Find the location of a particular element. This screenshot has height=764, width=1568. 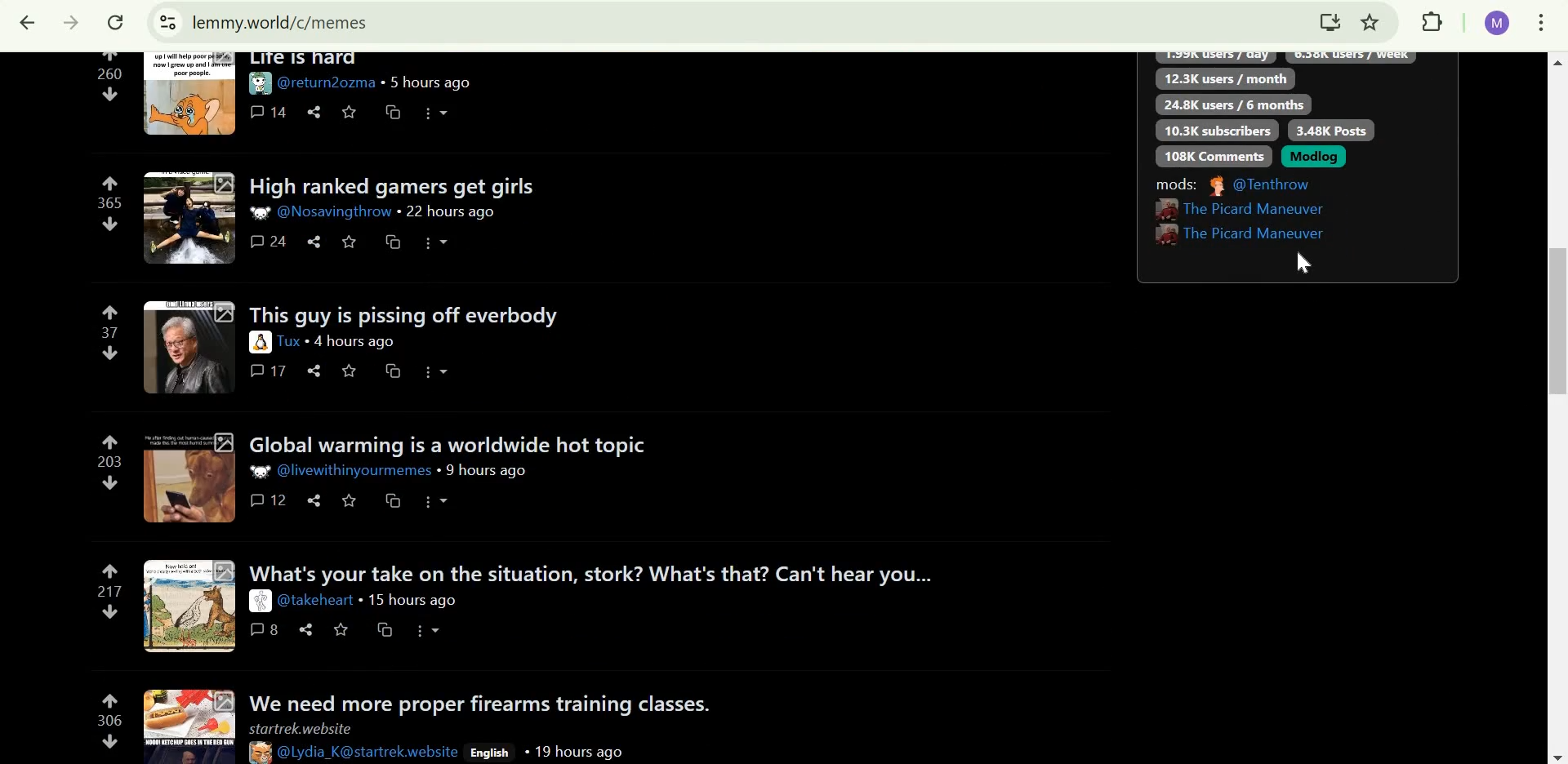

downvote is located at coordinates (110, 95).